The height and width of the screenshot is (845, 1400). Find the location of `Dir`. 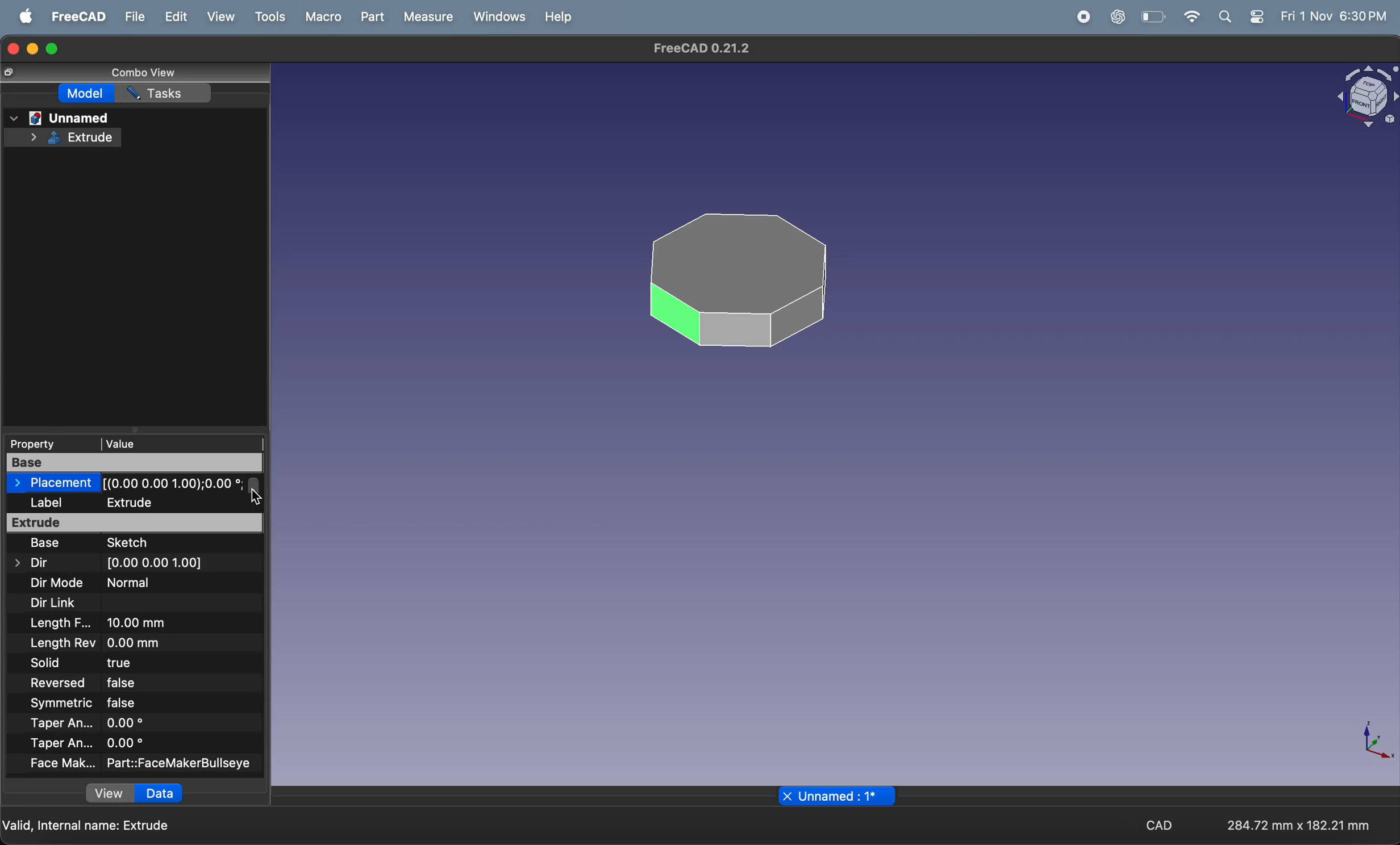

Dir is located at coordinates (31, 563).